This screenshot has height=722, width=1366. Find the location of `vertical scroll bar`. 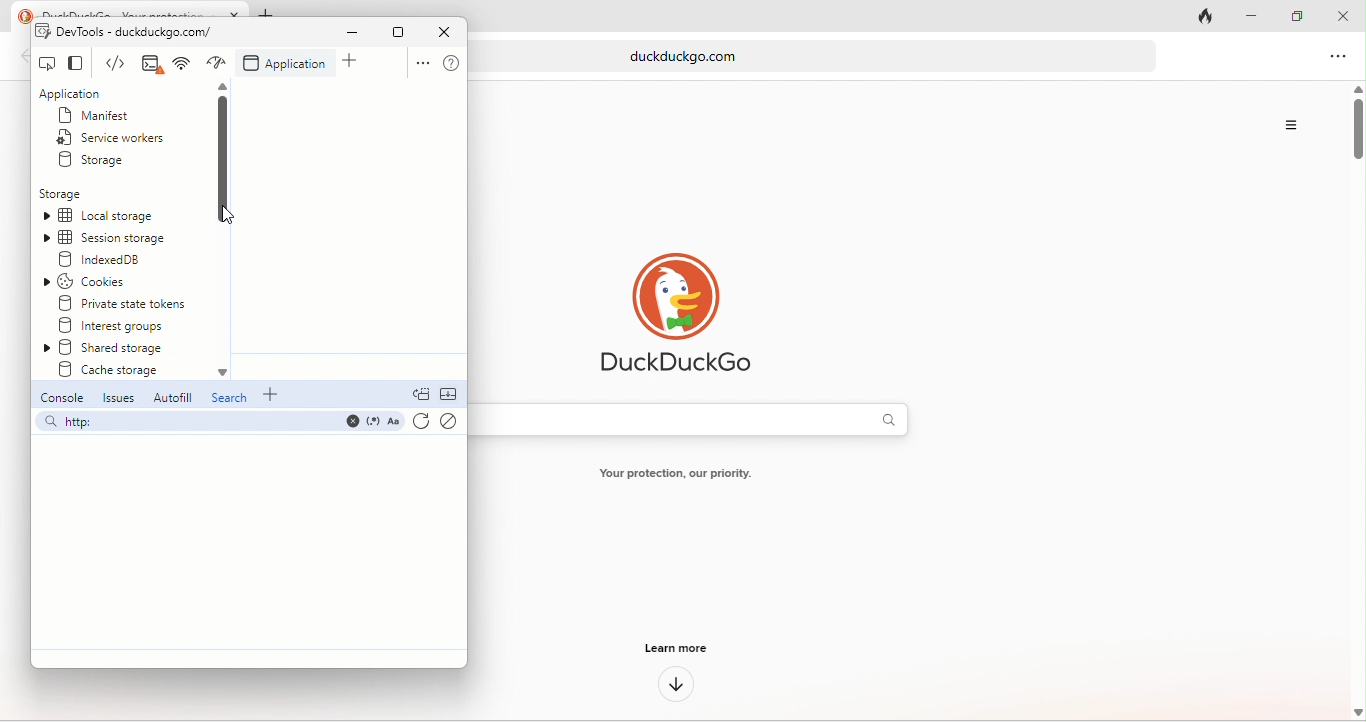

vertical scroll bar is located at coordinates (1356, 119).